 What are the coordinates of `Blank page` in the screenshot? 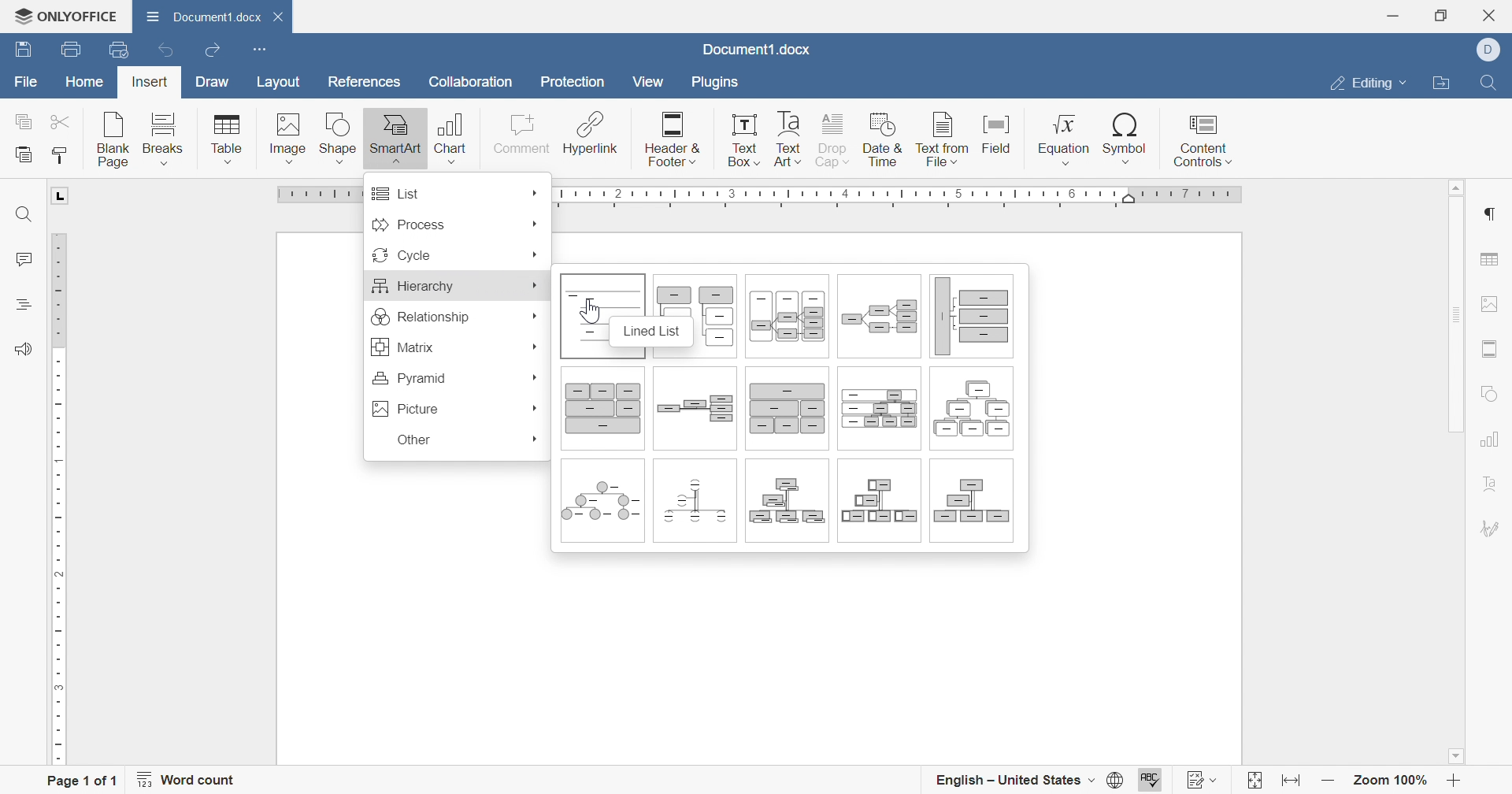 It's located at (116, 139).